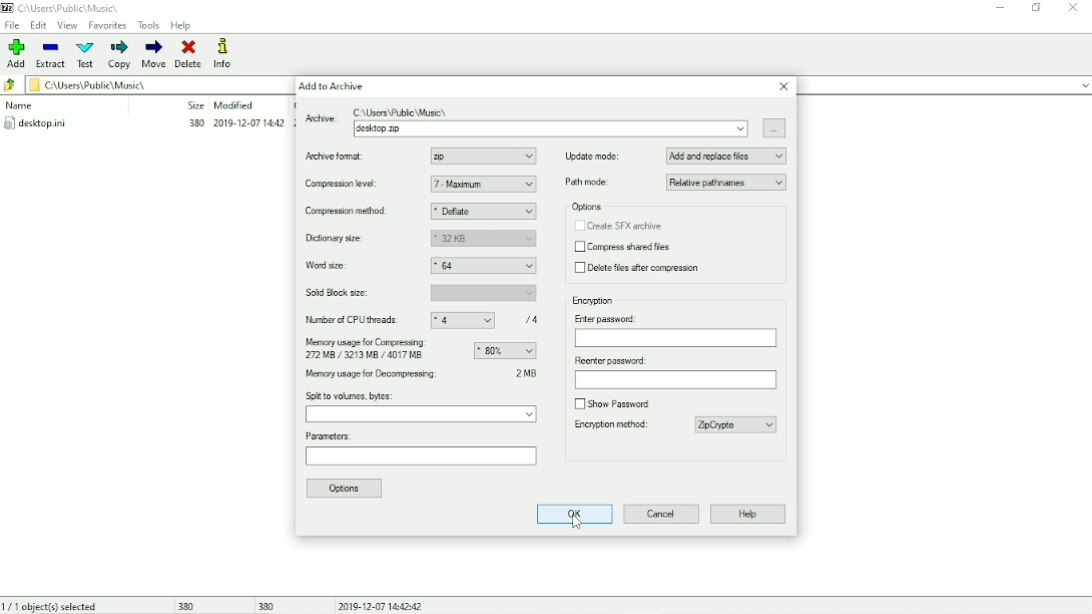 The height and width of the screenshot is (614, 1092). What do you see at coordinates (595, 301) in the screenshot?
I see `Encryption` at bounding box center [595, 301].